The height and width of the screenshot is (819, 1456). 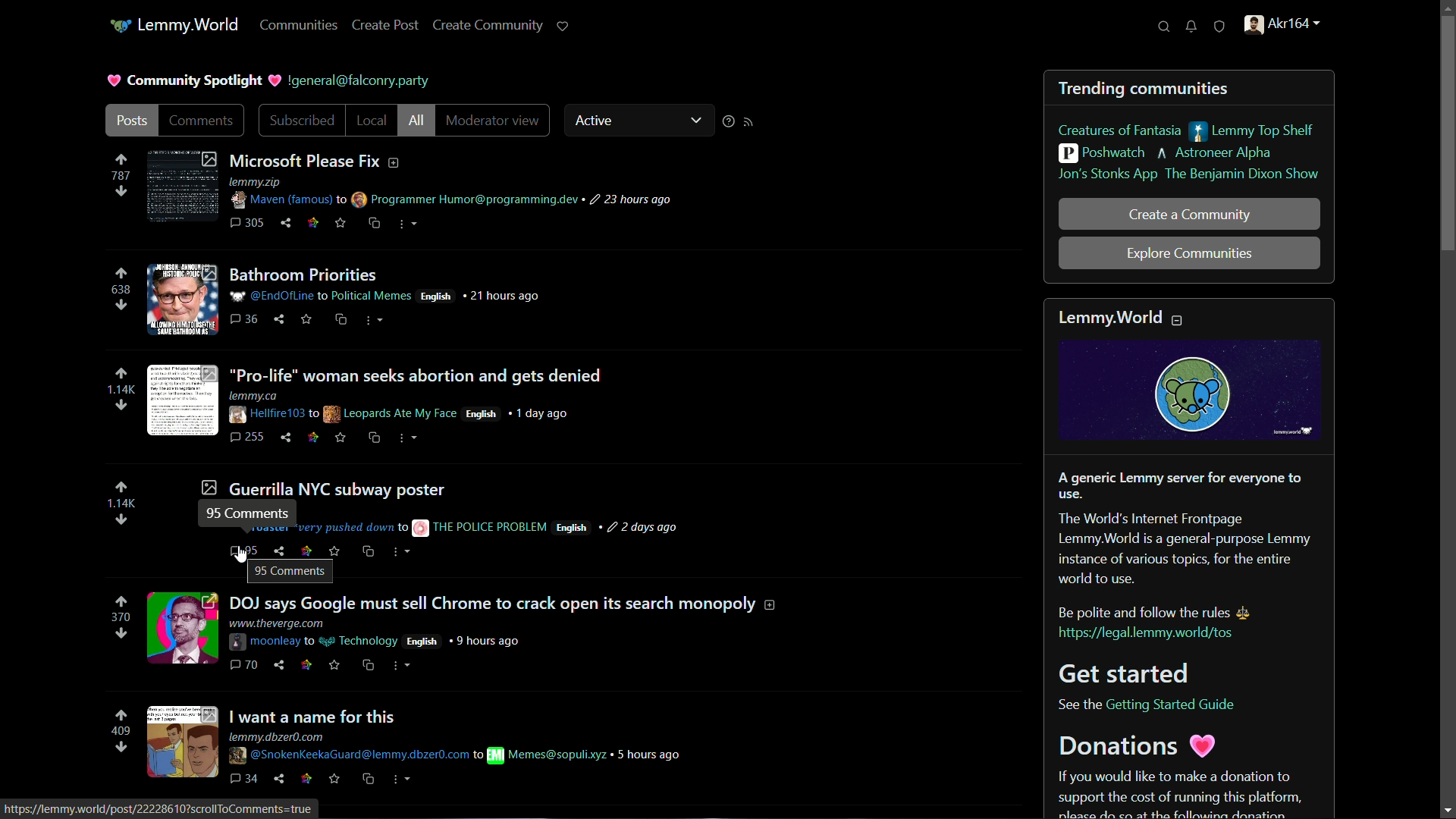 What do you see at coordinates (370, 439) in the screenshot?
I see `cross post` at bounding box center [370, 439].